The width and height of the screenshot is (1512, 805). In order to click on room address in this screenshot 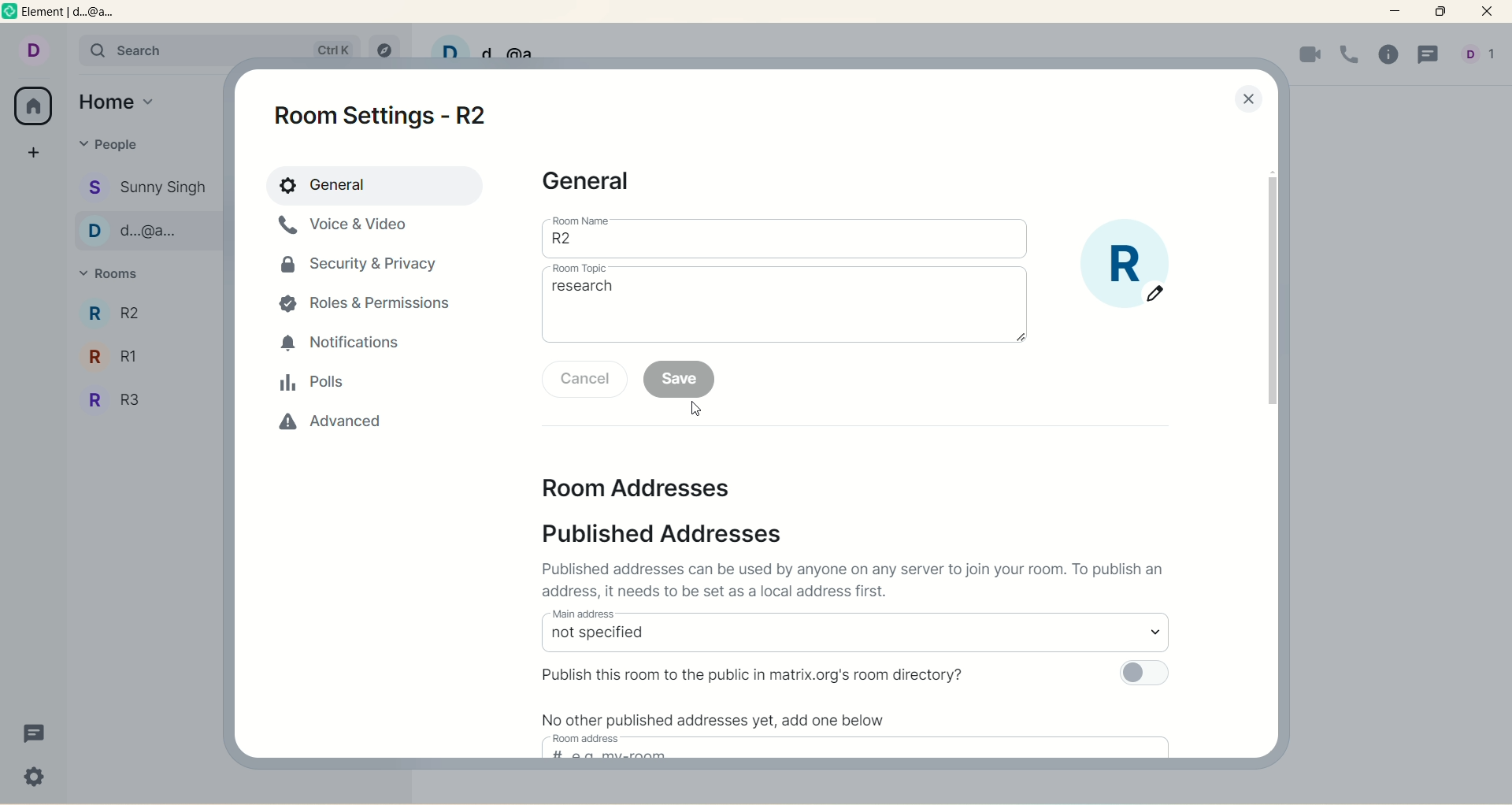, I will do `click(645, 486)`.